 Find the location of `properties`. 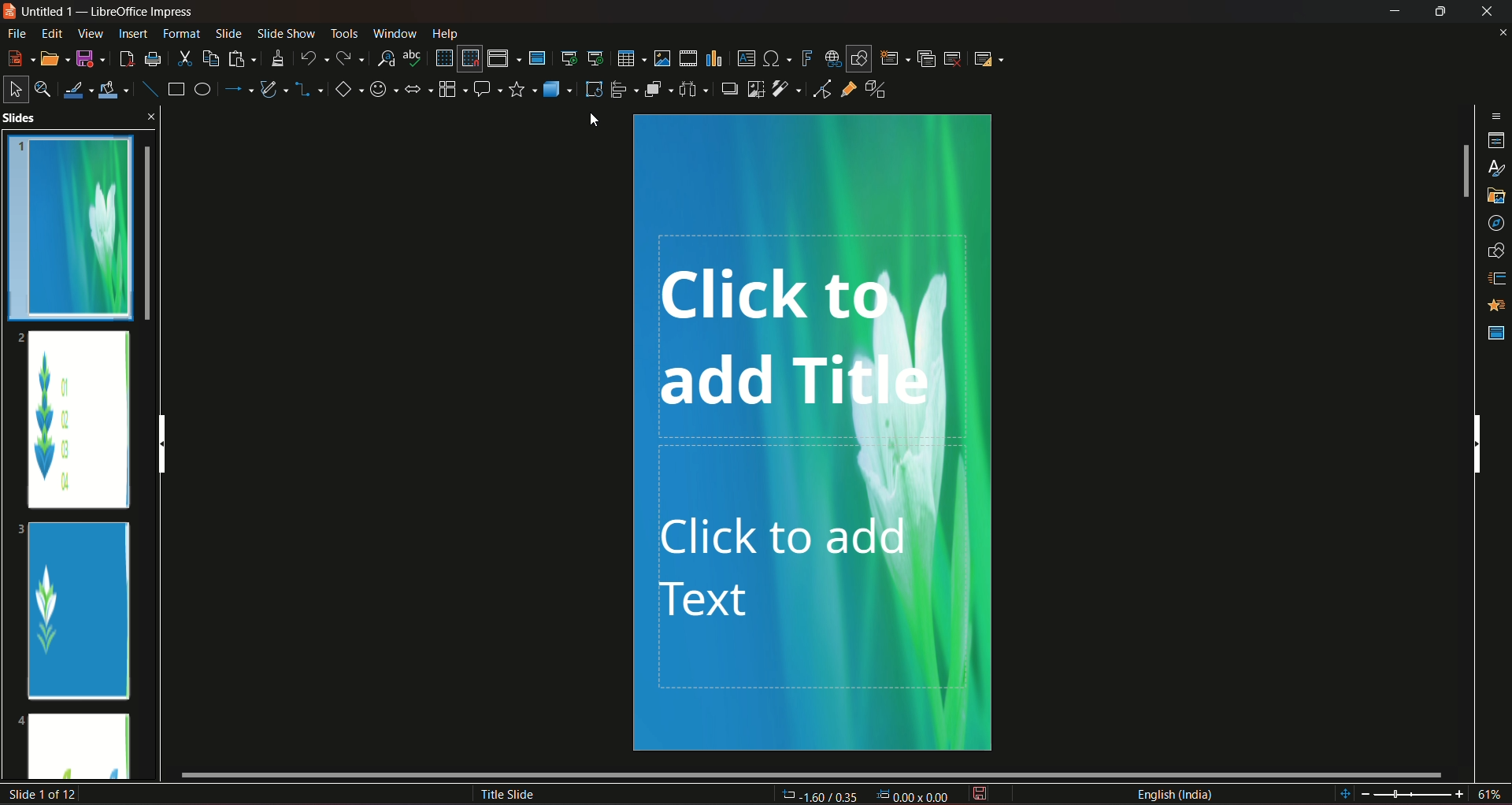

properties is located at coordinates (1495, 139).